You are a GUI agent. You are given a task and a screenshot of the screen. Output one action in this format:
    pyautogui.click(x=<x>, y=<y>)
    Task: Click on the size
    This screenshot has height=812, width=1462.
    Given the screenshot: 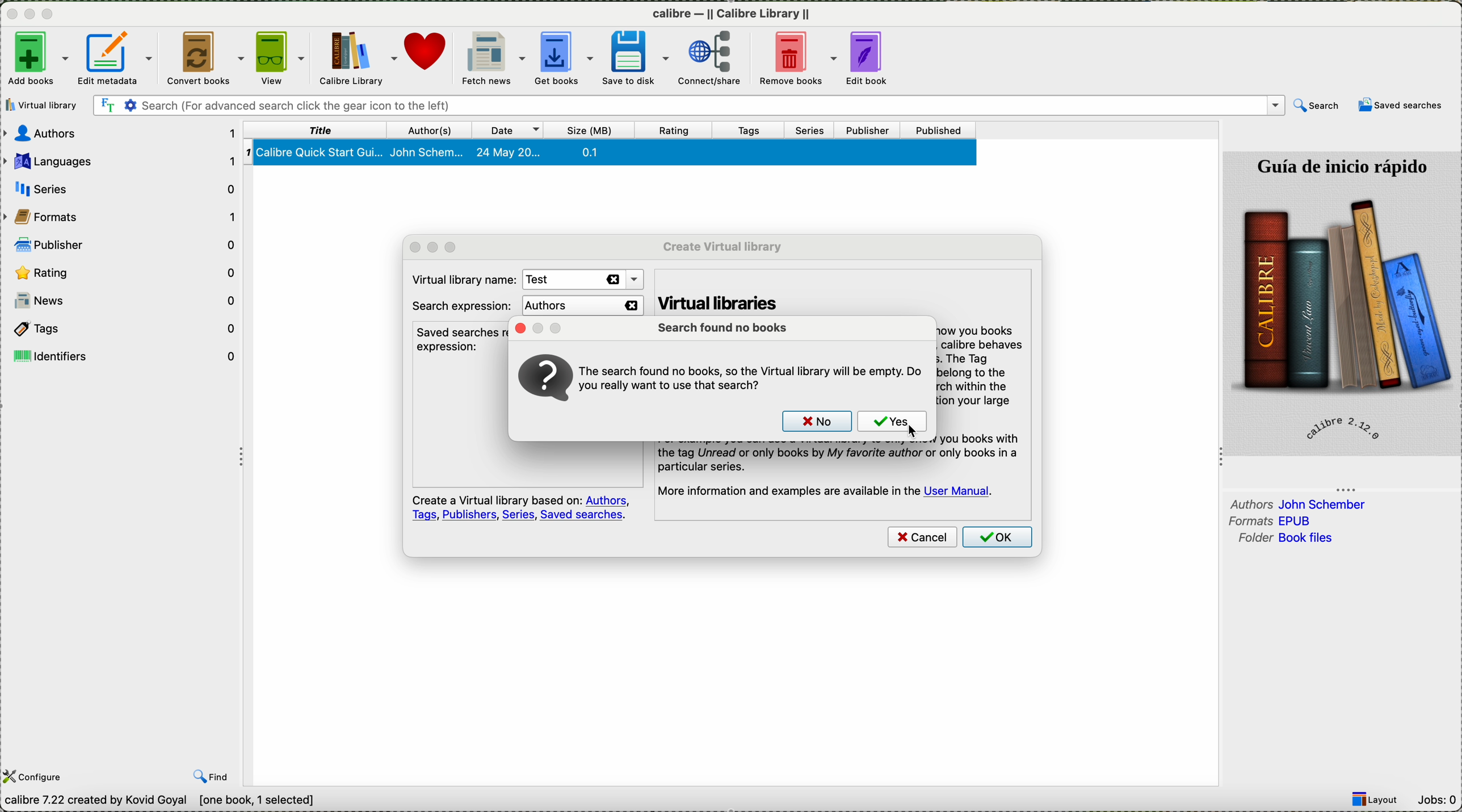 What is the action you would take?
    pyautogui.click(x=596, y=131)
    